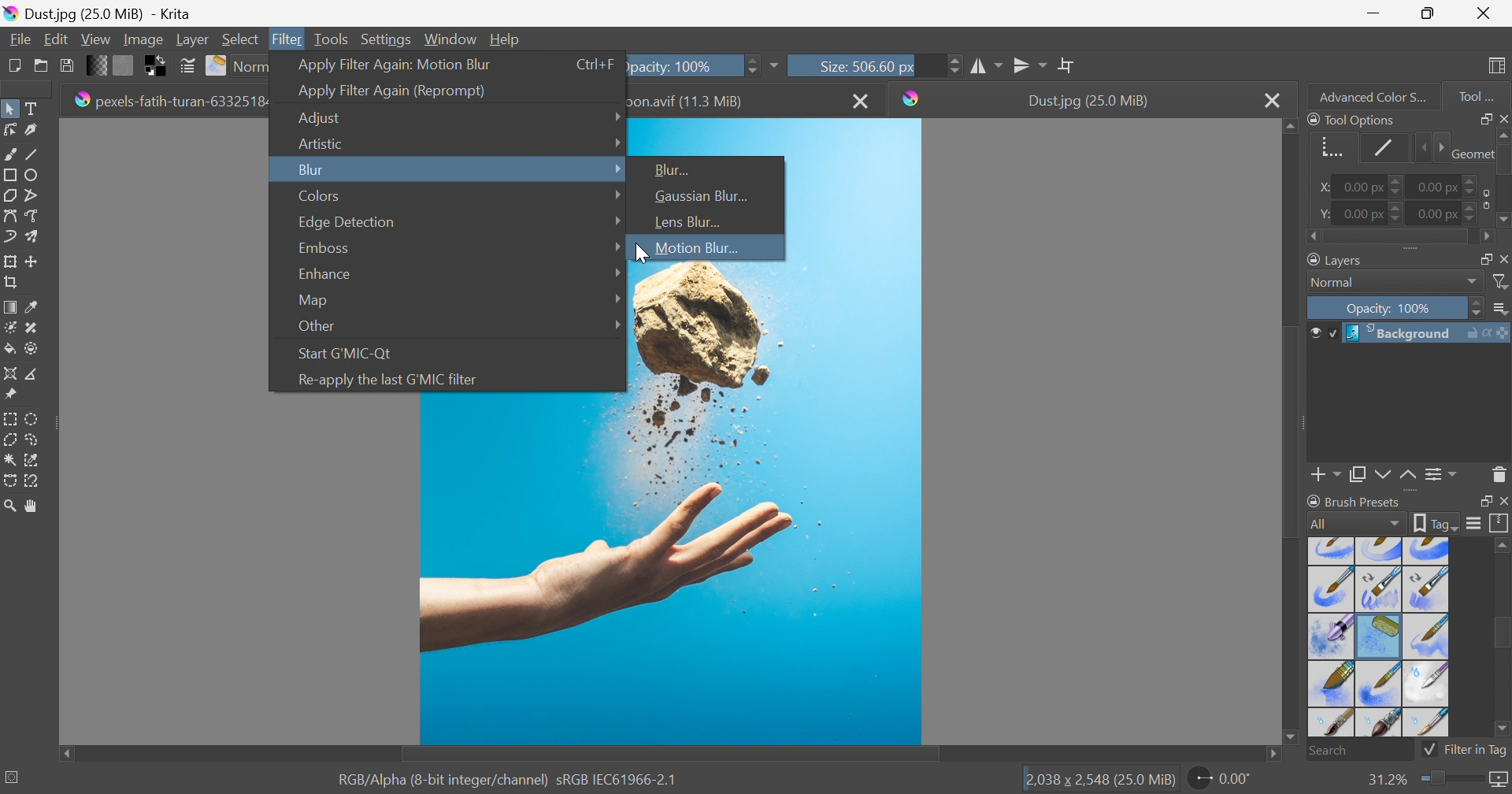  What do you see at coordinates (1368, 95) in the screenshot?
I see `Advanced color s...` at bounding box center [1368, 95].